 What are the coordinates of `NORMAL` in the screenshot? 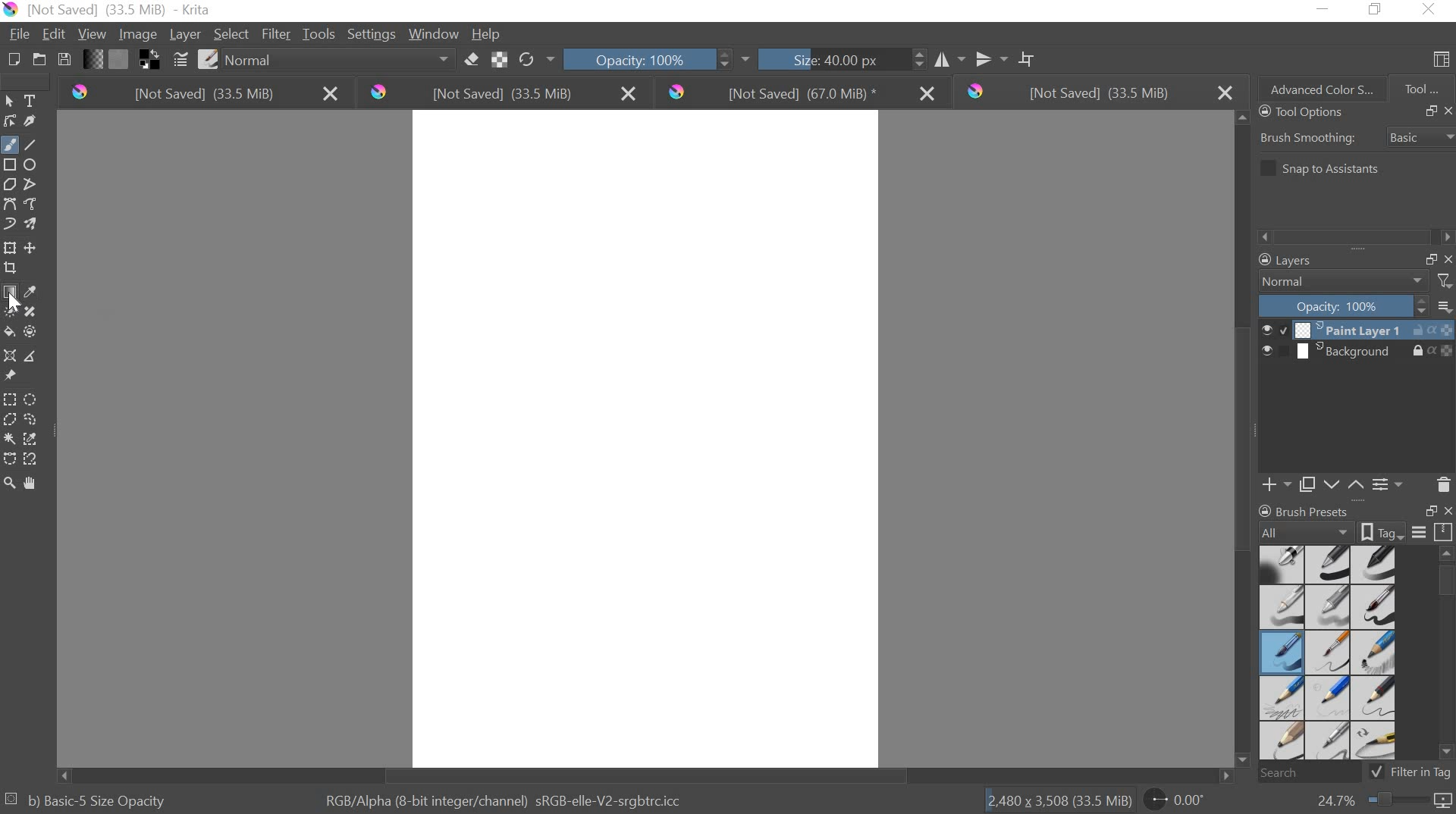 It's located at (1344, 282).